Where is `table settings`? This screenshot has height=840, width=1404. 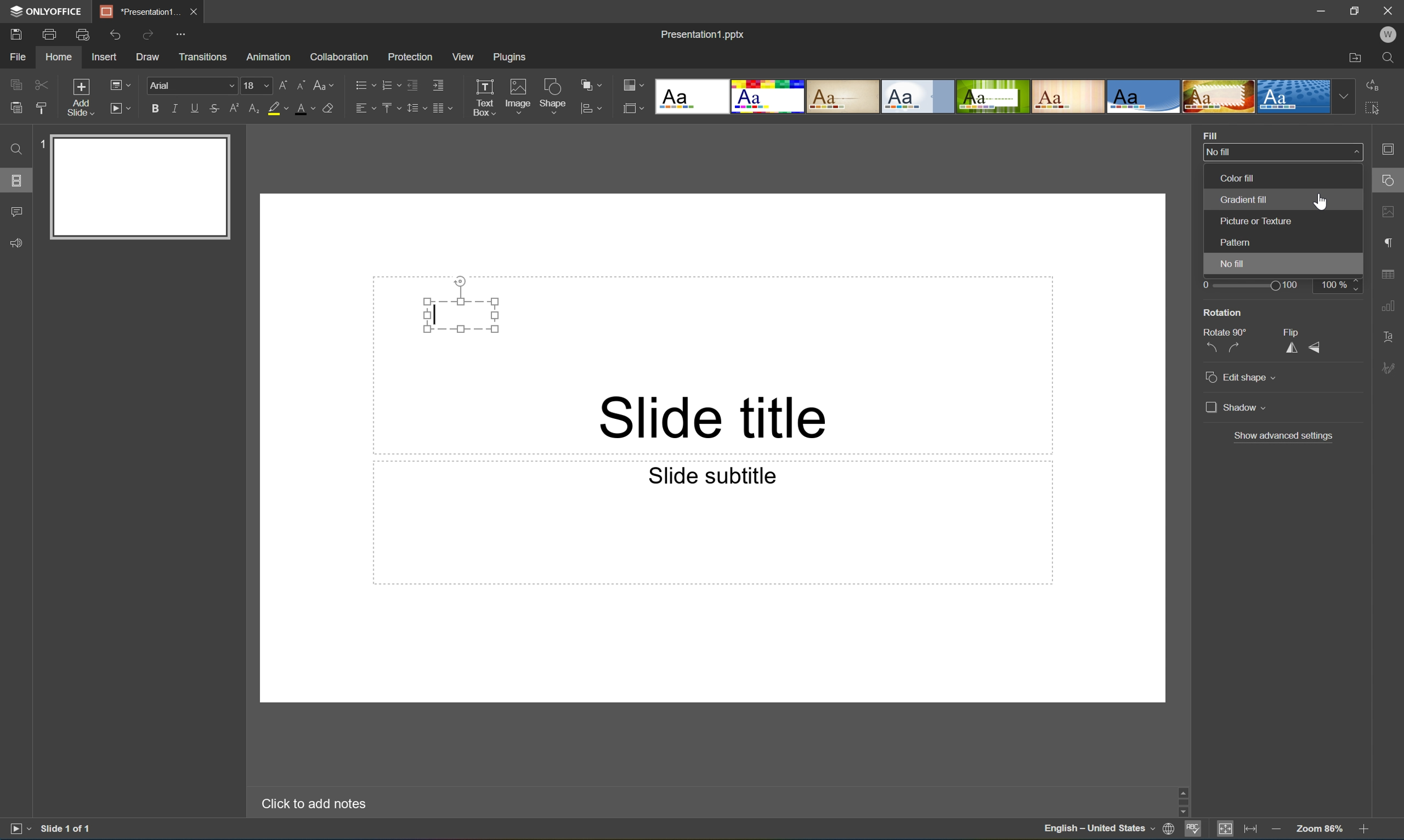
table settings is located at coordinates (1390, 275).